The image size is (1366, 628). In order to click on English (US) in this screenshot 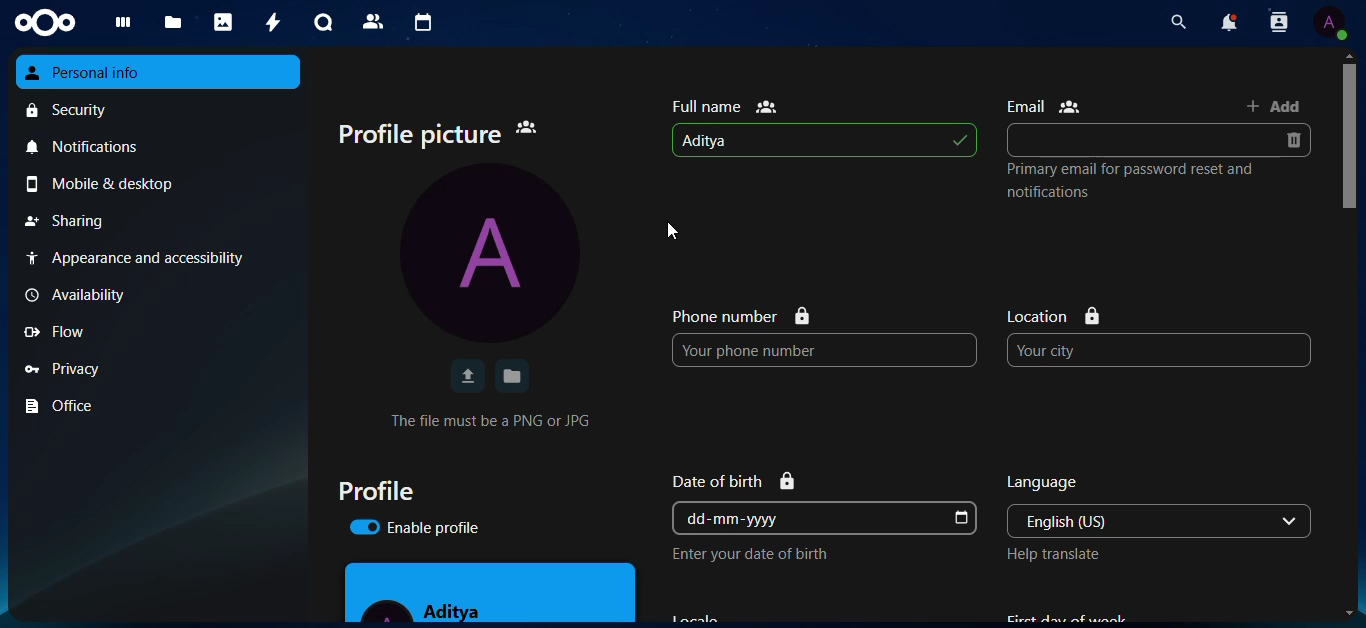, I will do `click(1139, 521)`.